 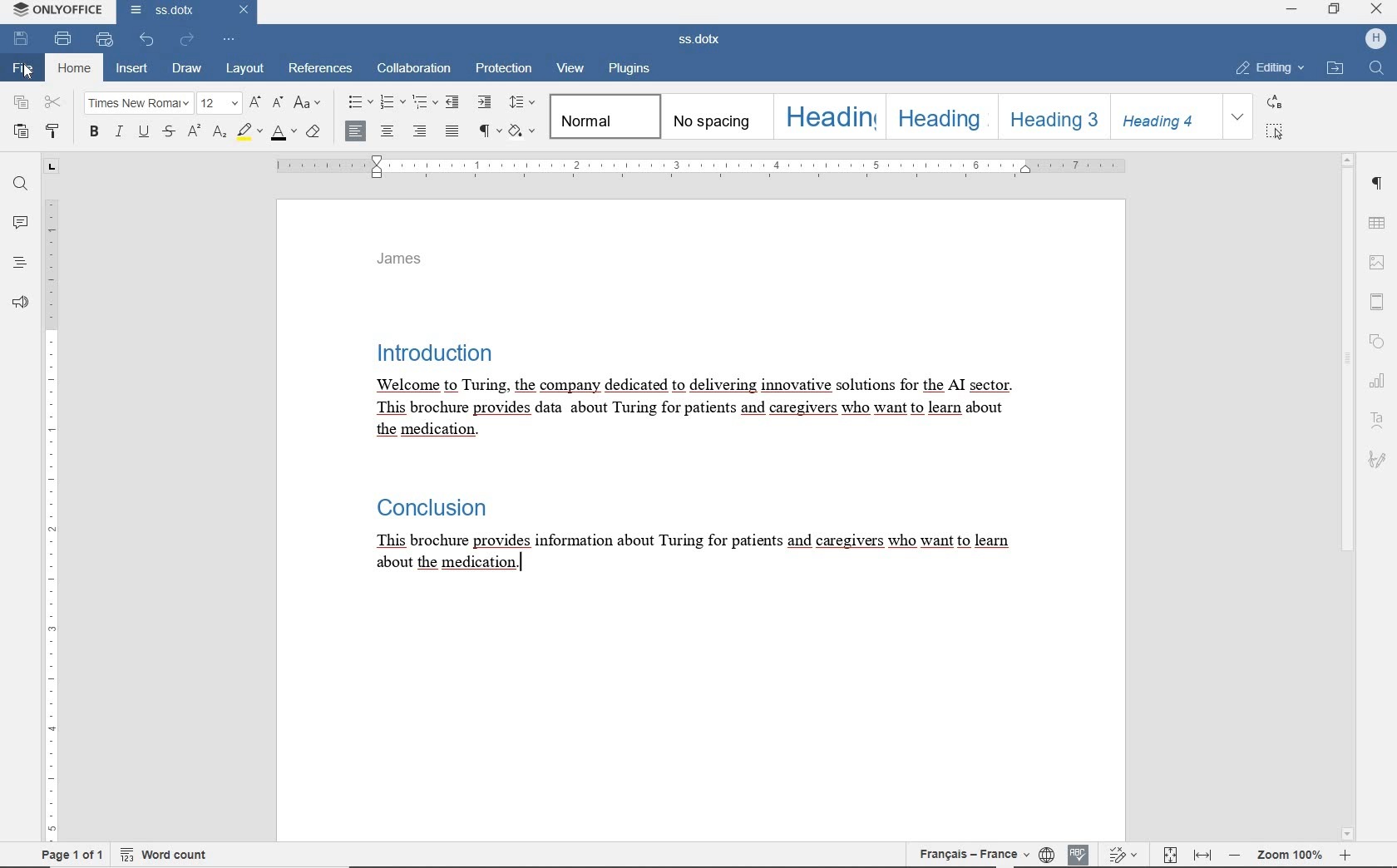 I want to click on REPLACE, so click(x=1274, y=101).